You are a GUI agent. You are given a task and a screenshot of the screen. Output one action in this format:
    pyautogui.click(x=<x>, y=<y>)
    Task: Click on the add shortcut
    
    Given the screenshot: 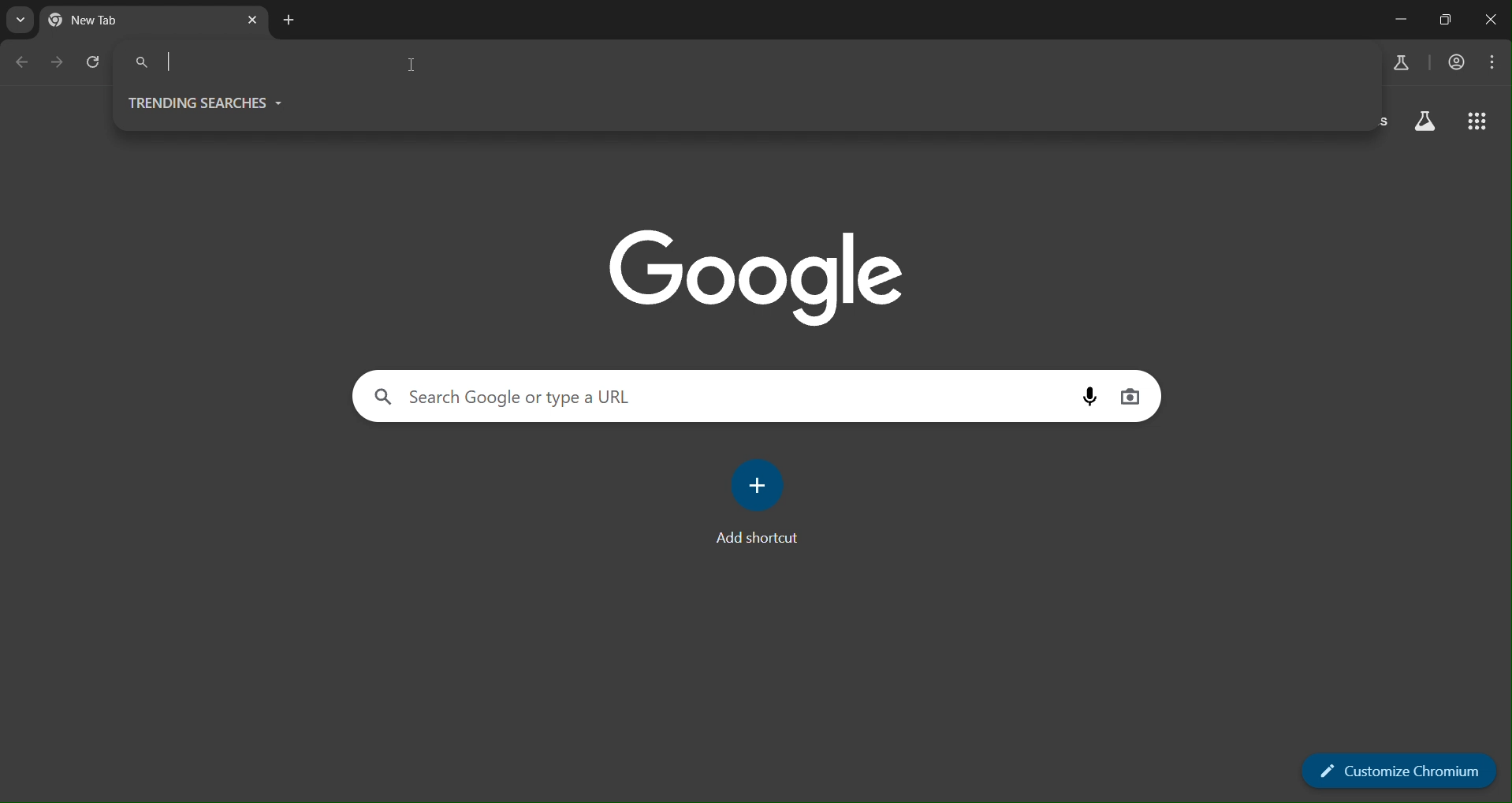 What is the action you would take?
    pyautogui.click(x=765, y=499)
    